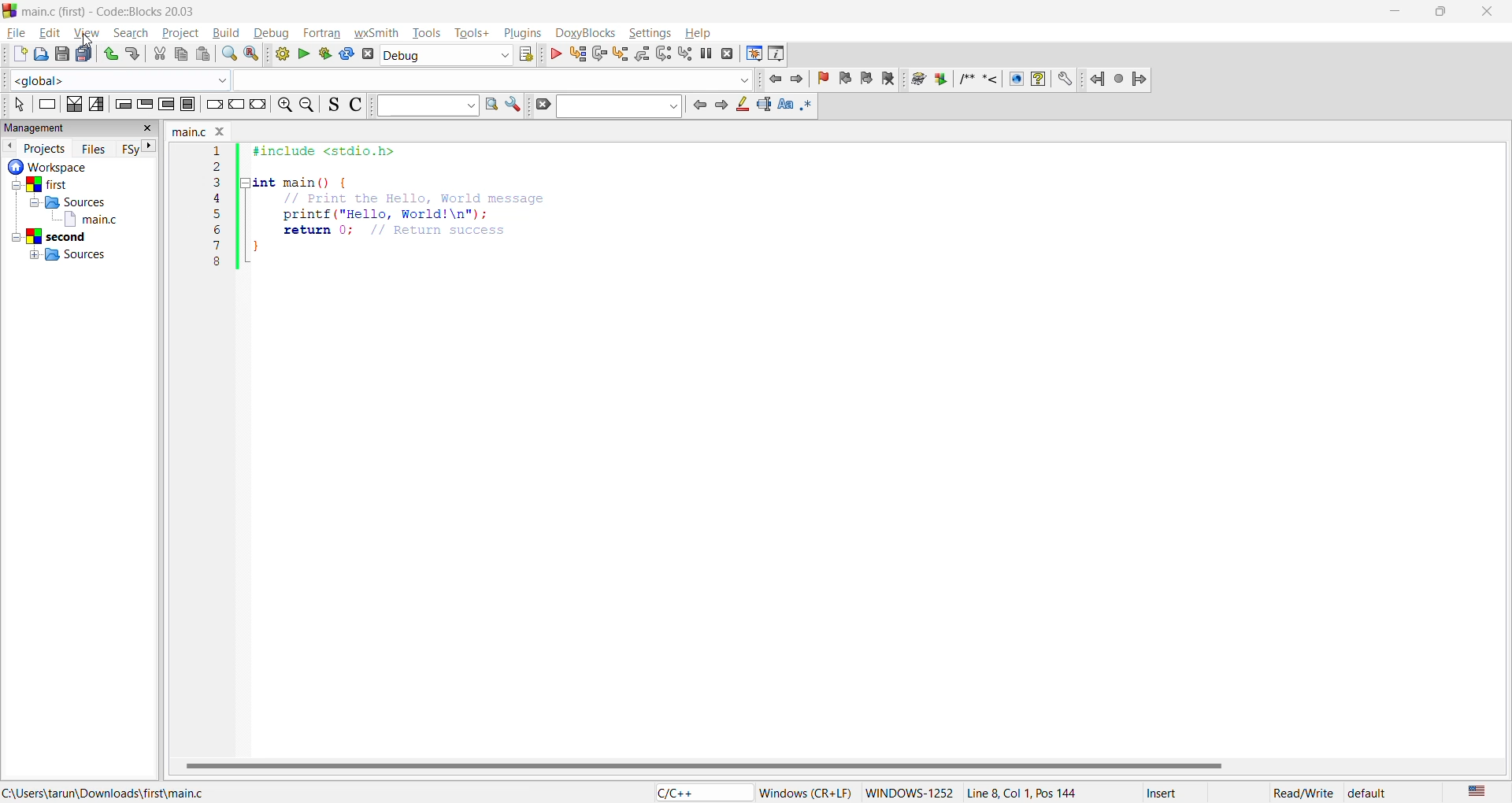 This screenshot has height=803, width=1512. I want to click on horizontal scroll  bar, so click(706, 766).